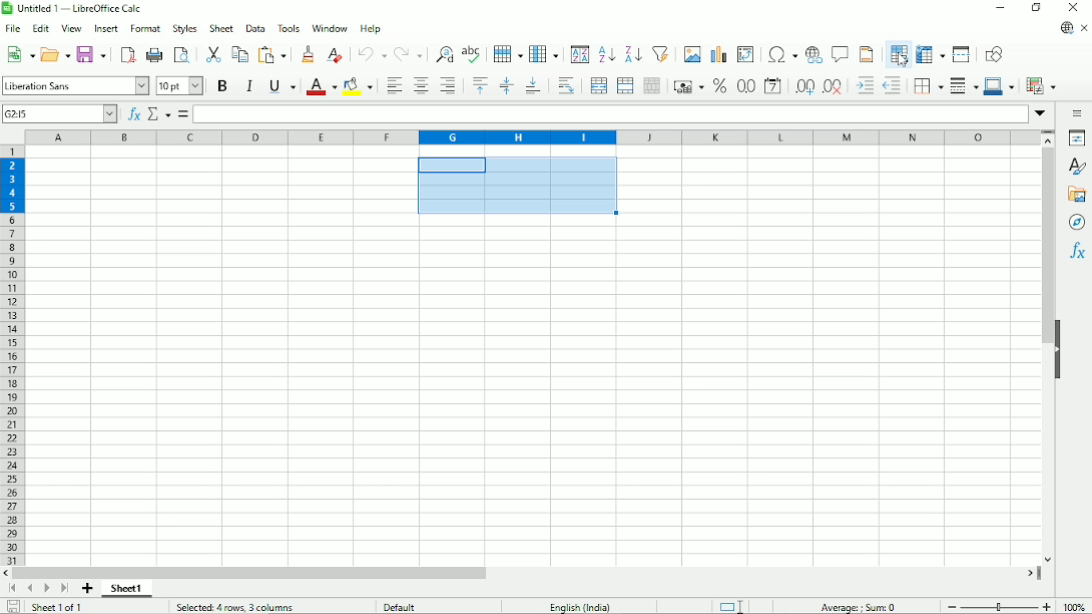  What do you see at coordinates (688, 86) in the screenshot?
I see `Format as currency` at bounding box center [688, 86].